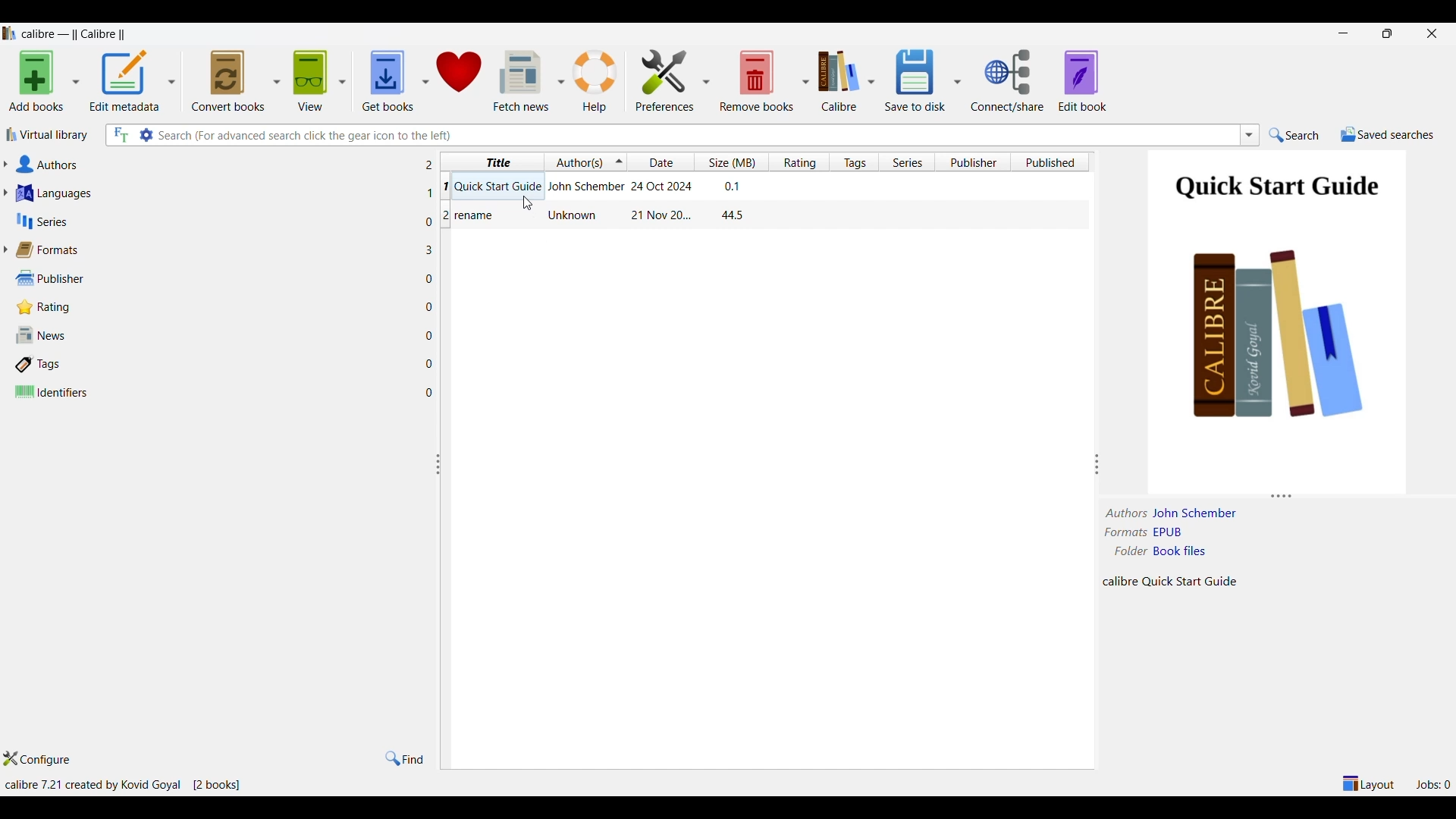  What do you see at coordinates (1386, 33) in the screenshot?
I see `restore` at bounding box center [1386, 33].